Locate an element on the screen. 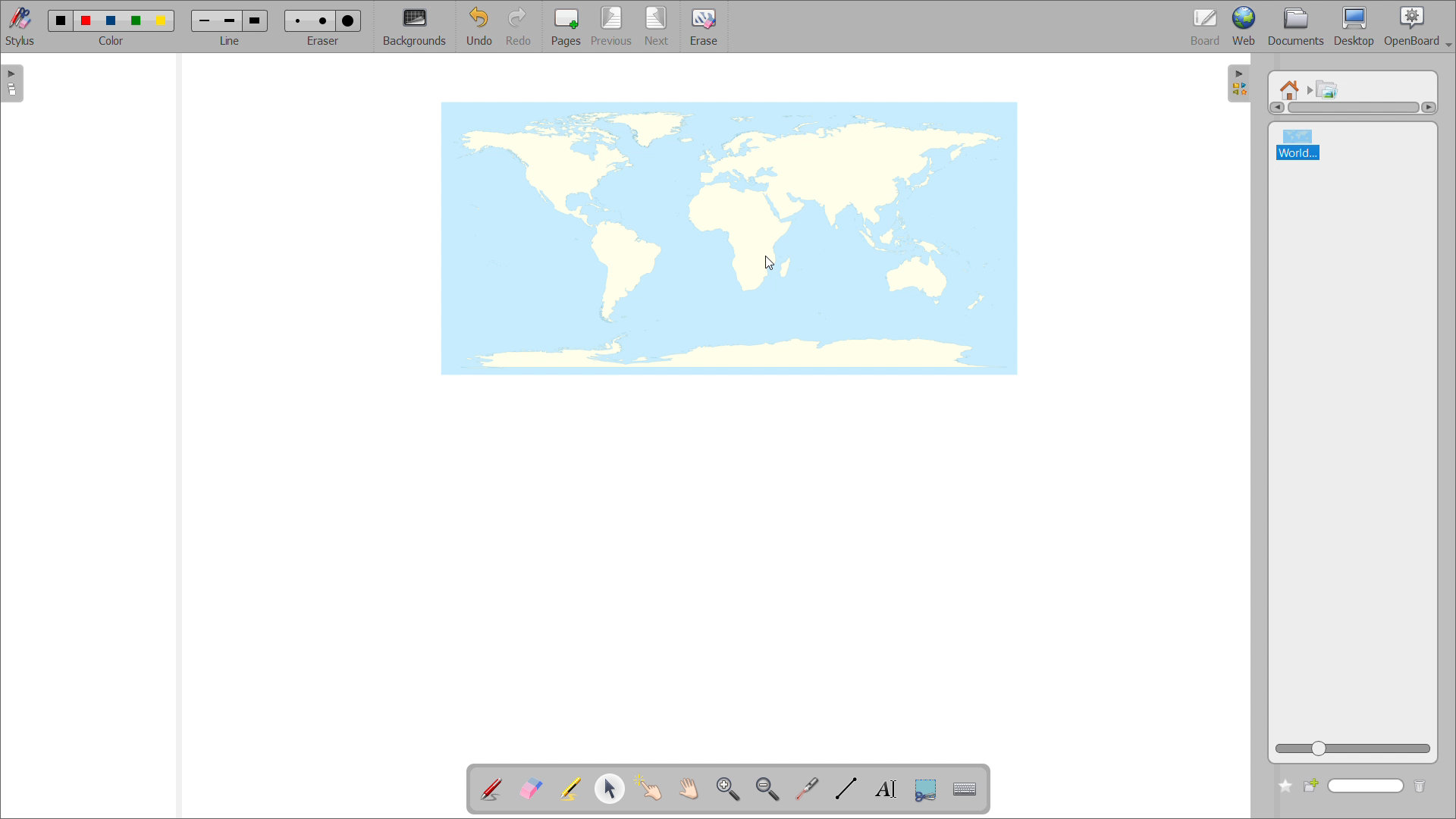  world is located at coordinates (1297, 143).